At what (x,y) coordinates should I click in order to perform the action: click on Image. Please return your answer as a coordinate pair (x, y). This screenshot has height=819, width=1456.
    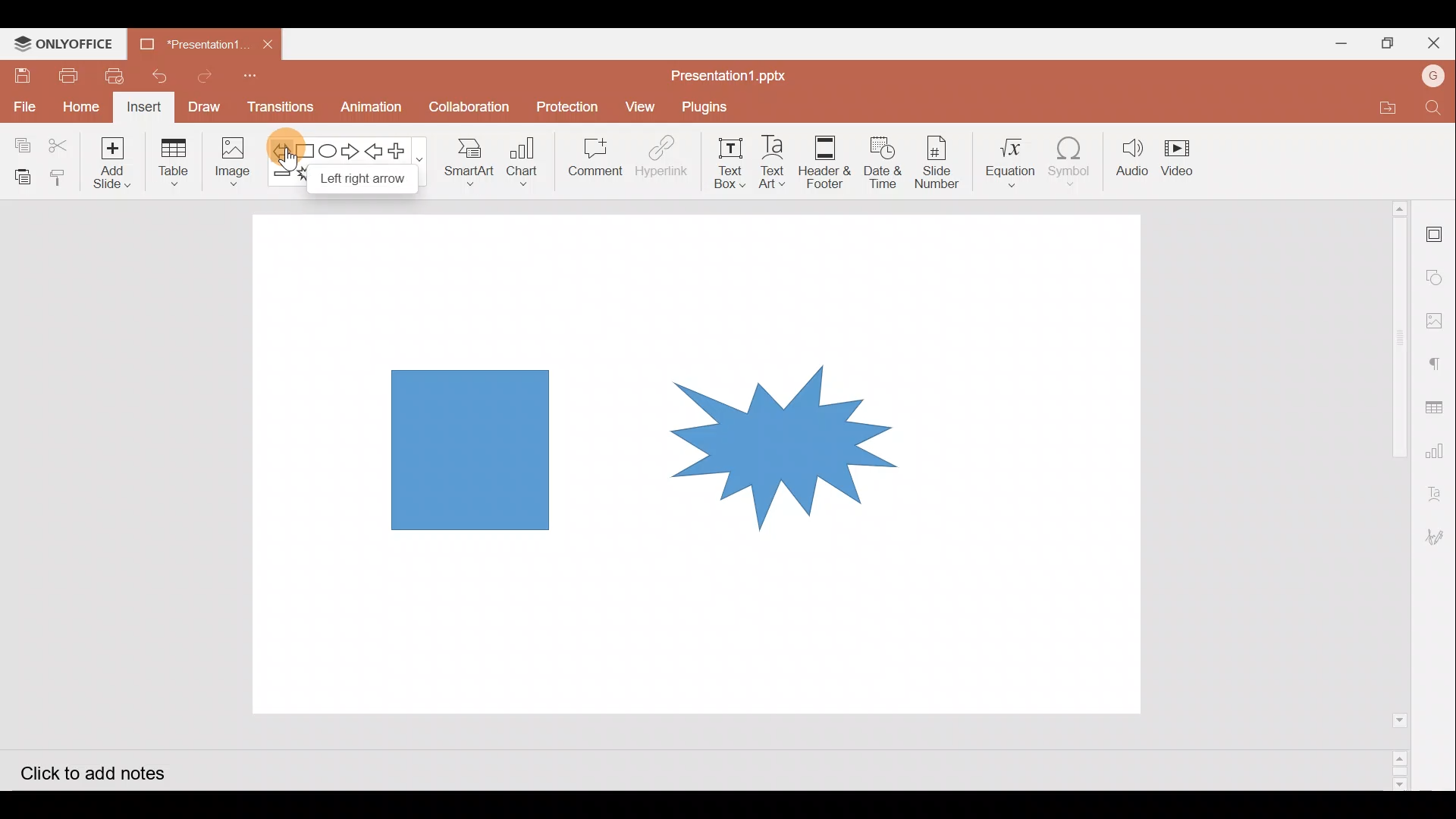
    Looking at the image, I should click on (233, 160).